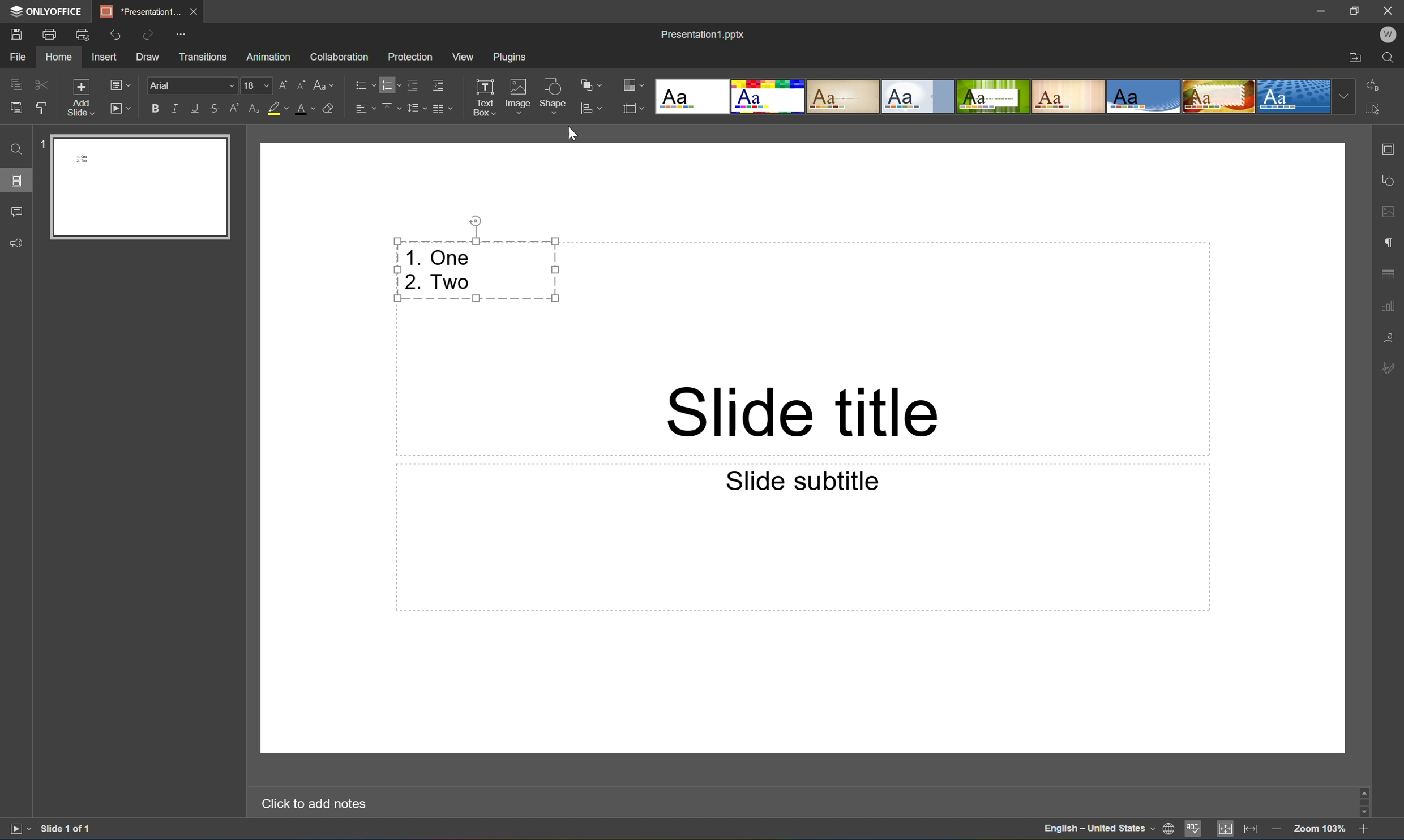  I want to click on Increase indent, so click(438, 86).